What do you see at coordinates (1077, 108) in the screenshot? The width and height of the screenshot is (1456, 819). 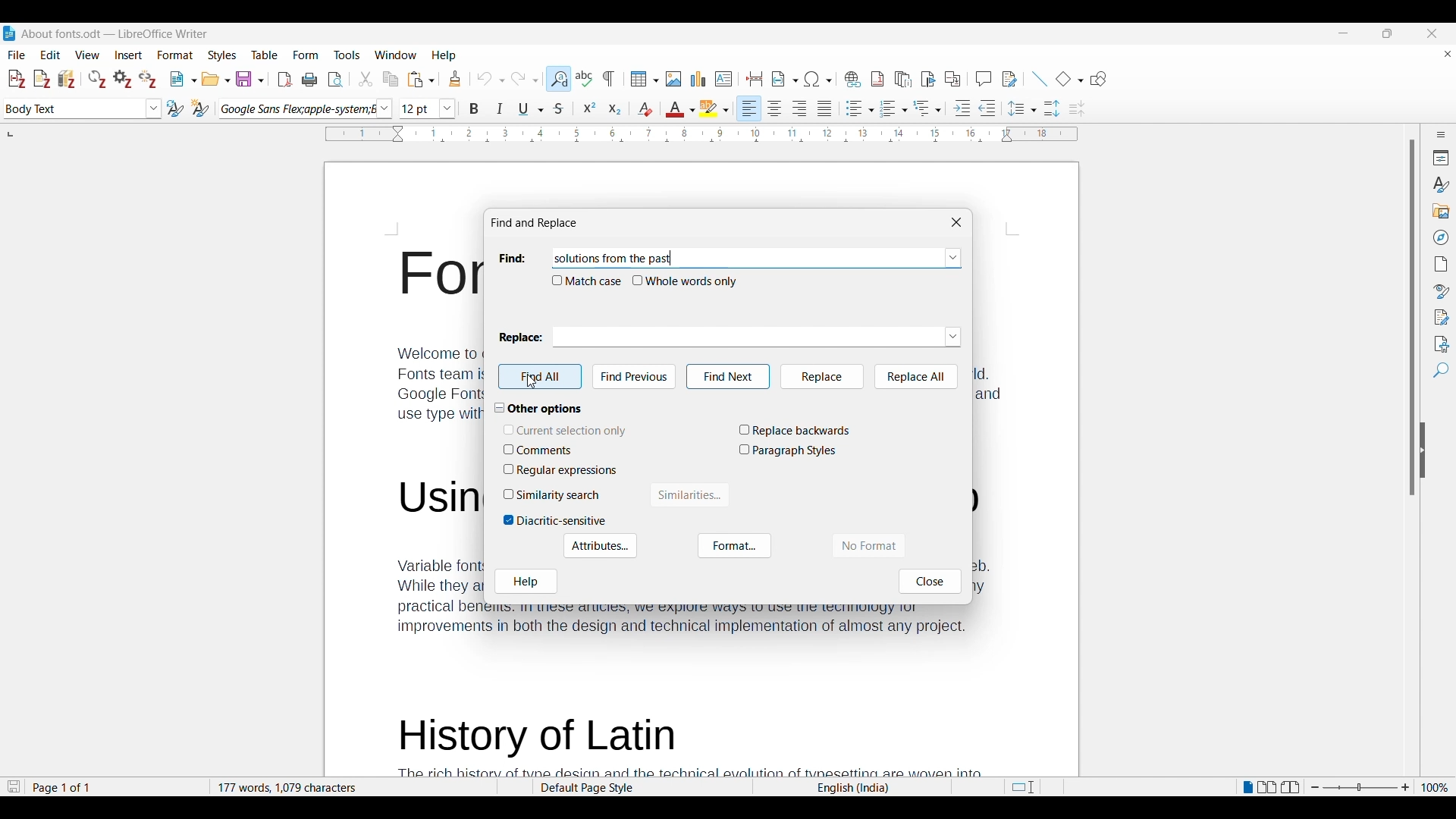 I see `Decrease paragraph spacing` at bounding box center [1077, 108].